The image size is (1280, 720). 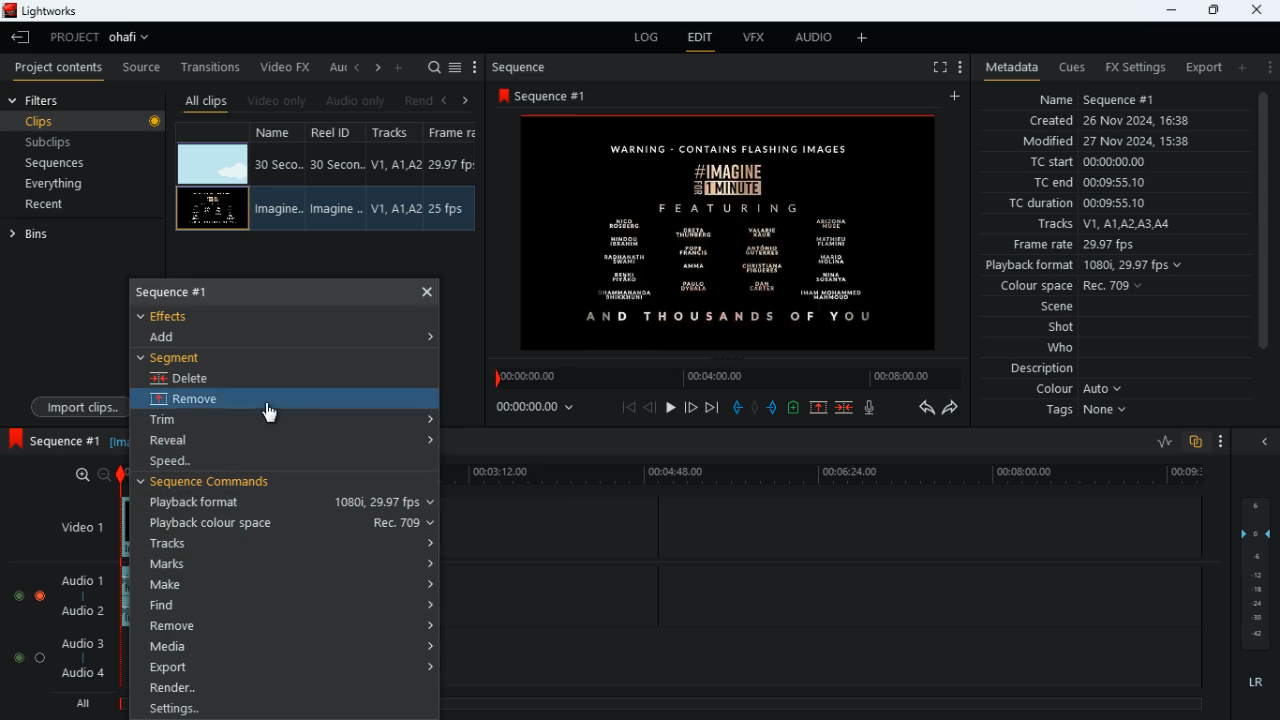 I want to click on bins, so click(x=51, y=236).